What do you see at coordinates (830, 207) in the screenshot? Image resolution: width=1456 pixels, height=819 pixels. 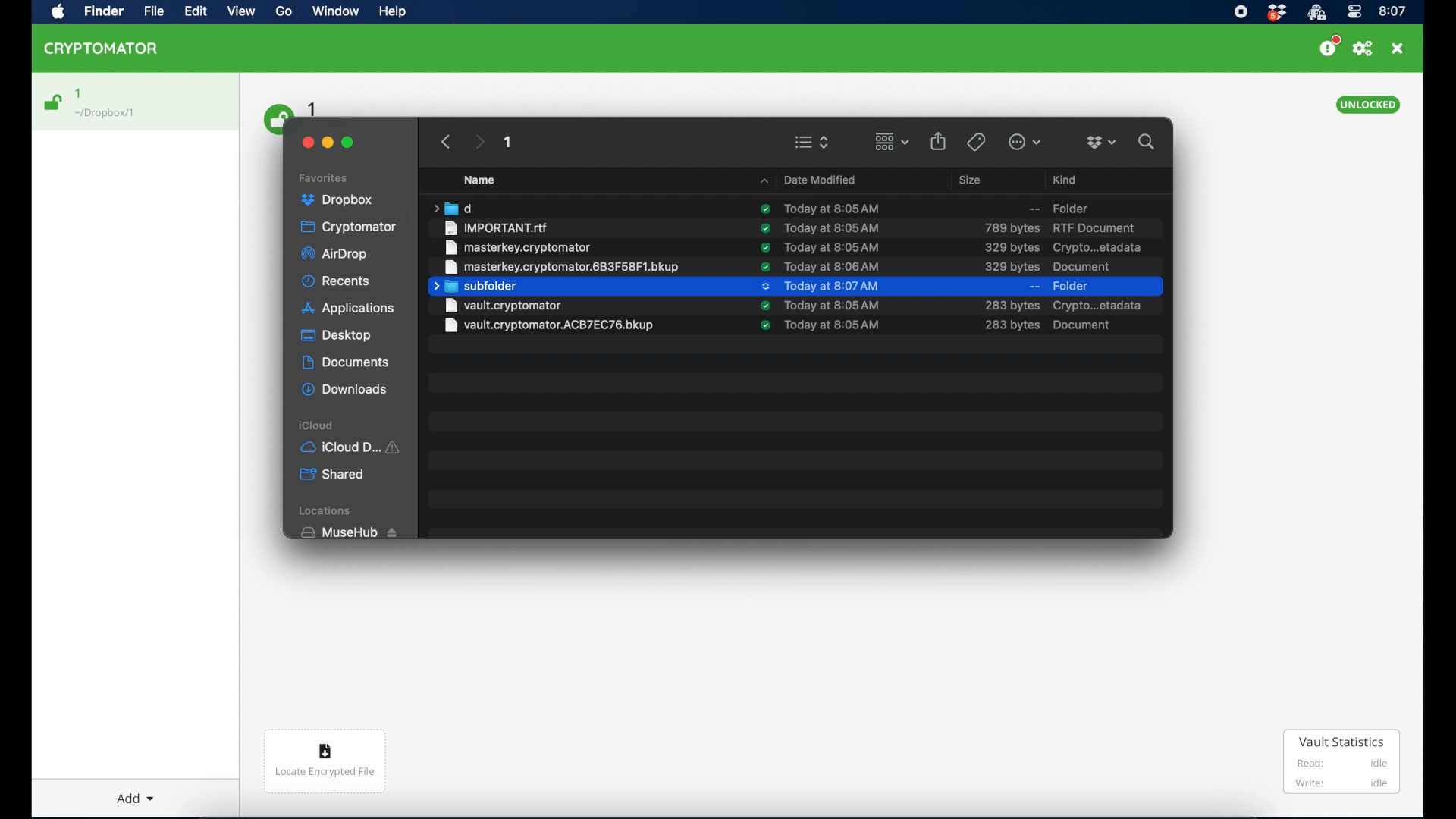 I see `date` at bounding box center [830, 207].